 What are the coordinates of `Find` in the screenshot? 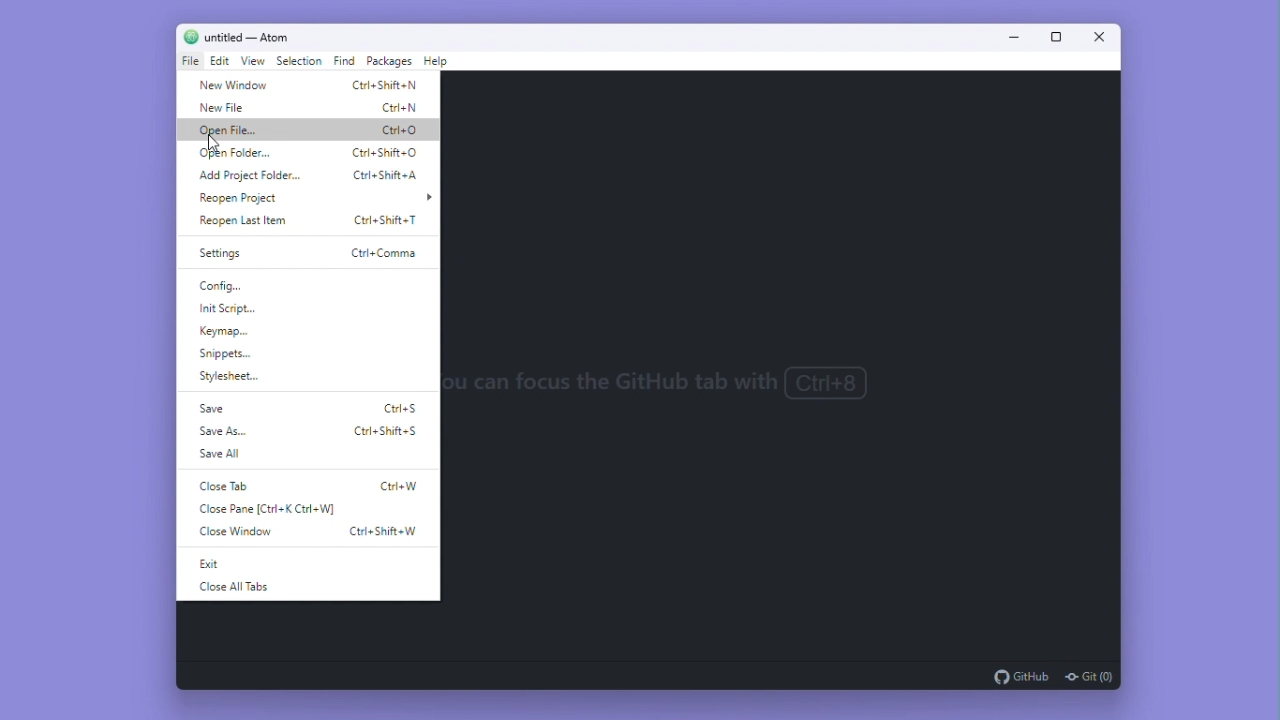 It's located at (344, 63).